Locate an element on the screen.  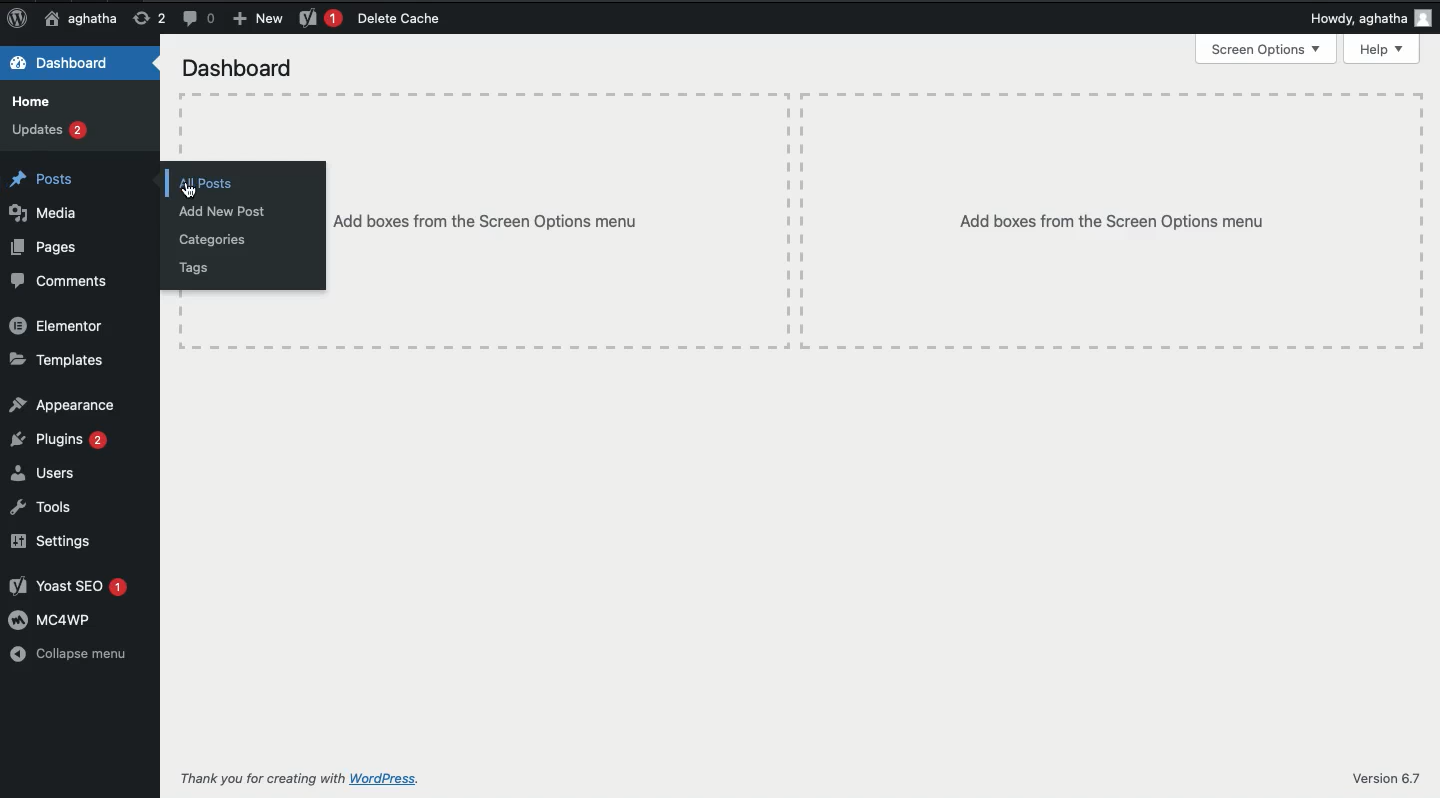
Media is located at coordinates (43, 211).